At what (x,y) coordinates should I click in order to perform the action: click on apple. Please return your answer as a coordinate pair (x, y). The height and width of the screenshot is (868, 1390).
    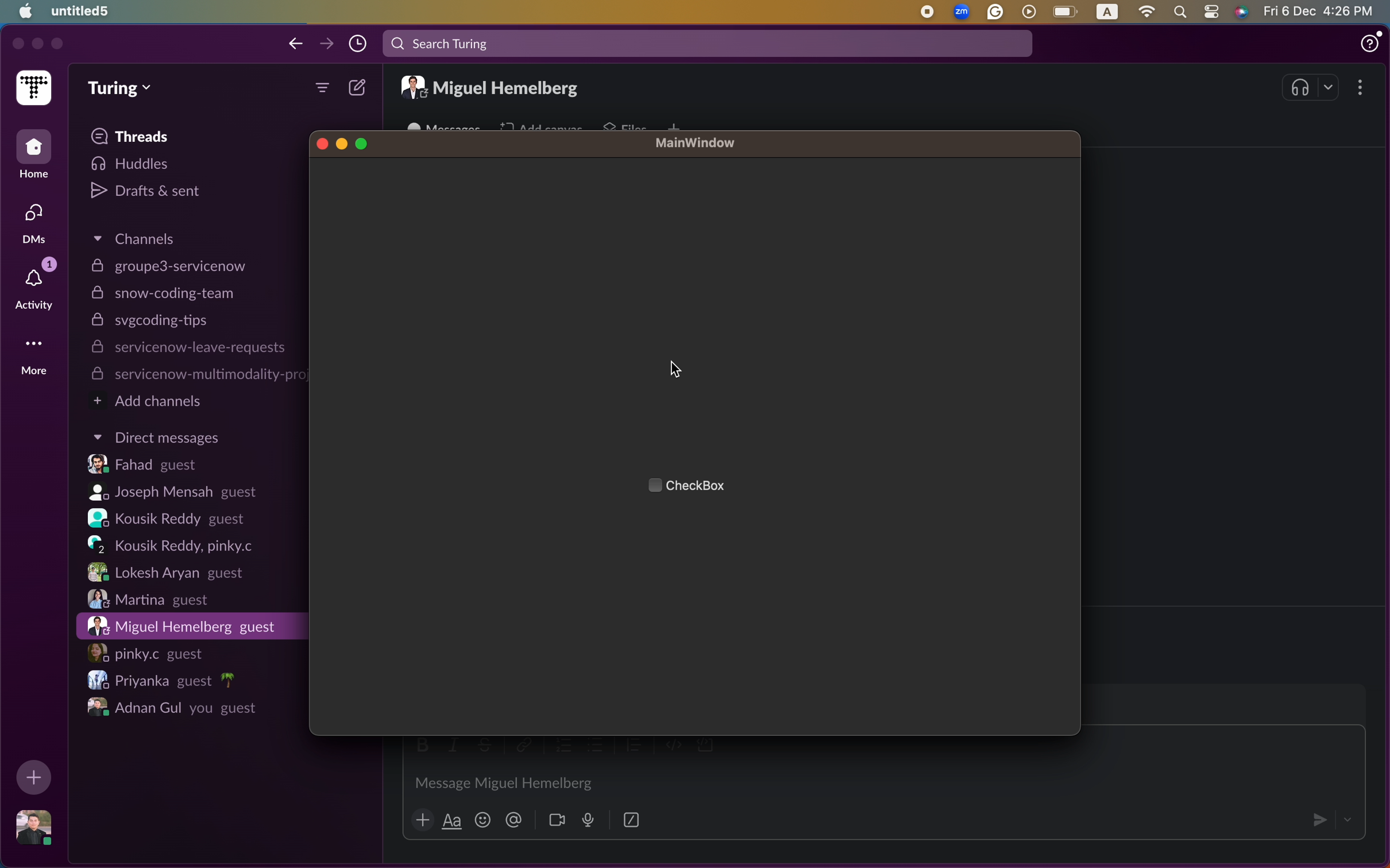
    Looking at the image, I should click on (22, 13).